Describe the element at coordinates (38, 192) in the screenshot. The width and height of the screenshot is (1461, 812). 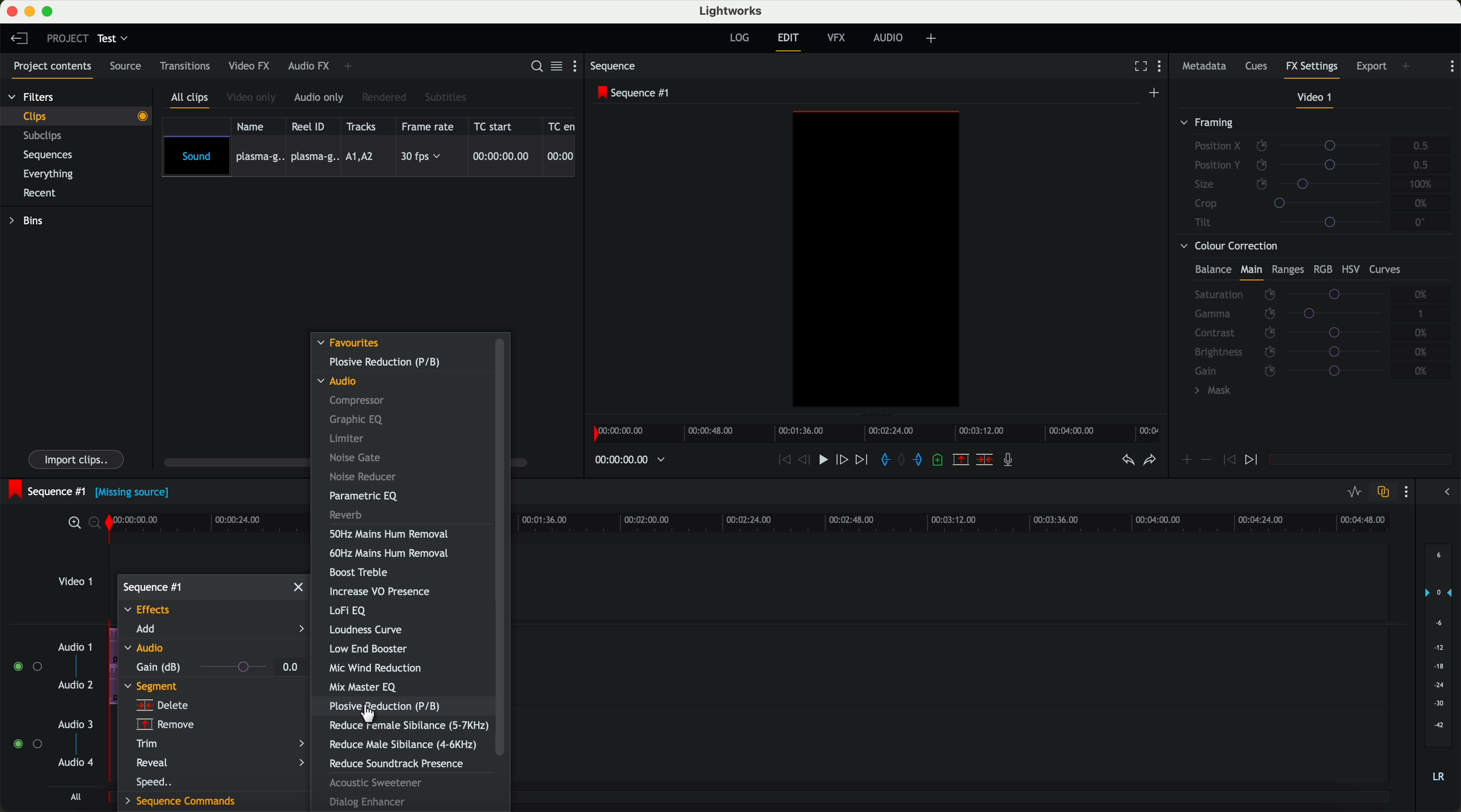
I see `recent` at that location.